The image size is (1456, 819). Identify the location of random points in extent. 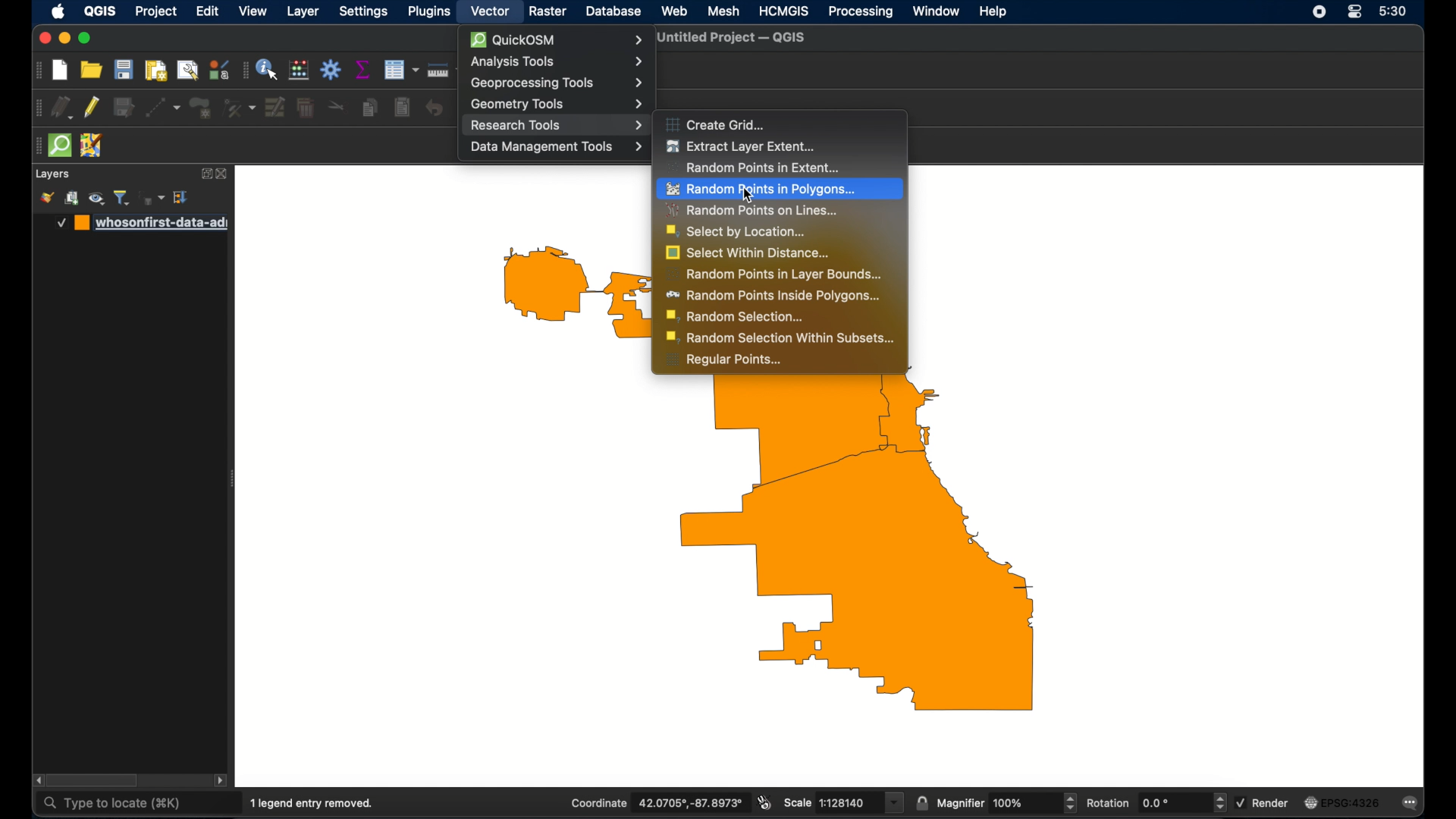
(751, 168).